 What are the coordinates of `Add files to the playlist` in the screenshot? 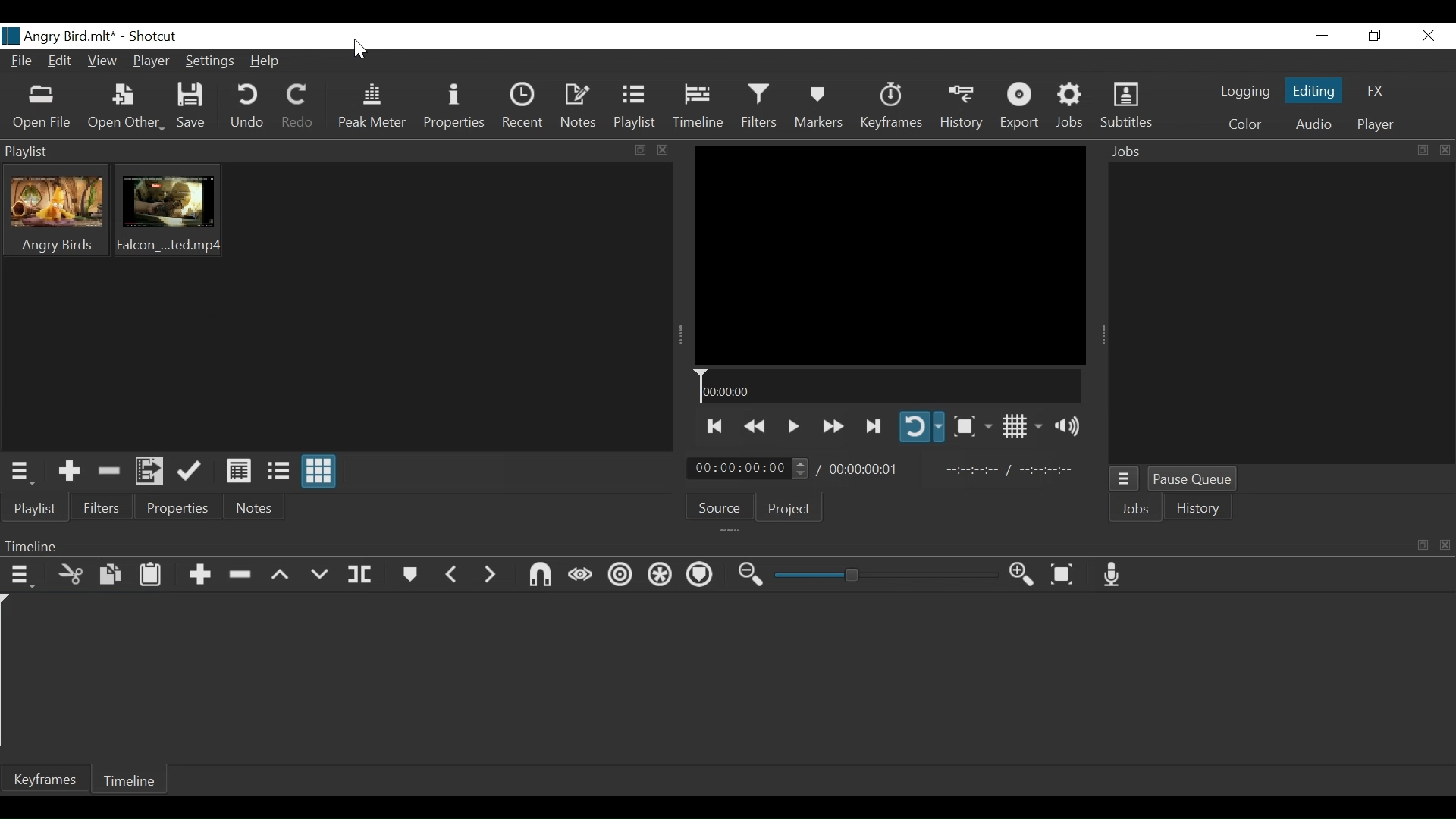 It's located at (149, 471).